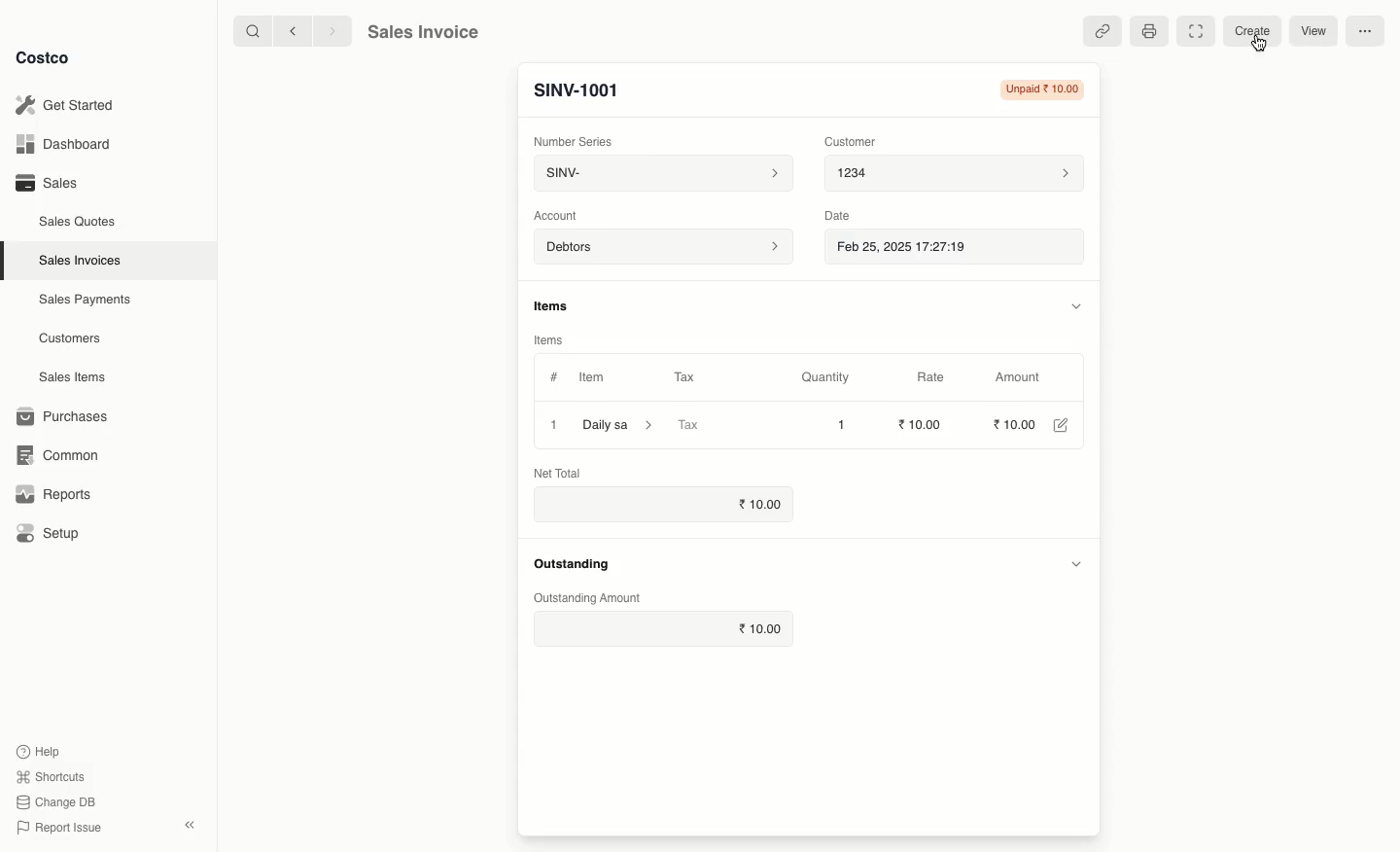 The image size is (1400, 852). I want to click on Quantity, so click(825, 378).